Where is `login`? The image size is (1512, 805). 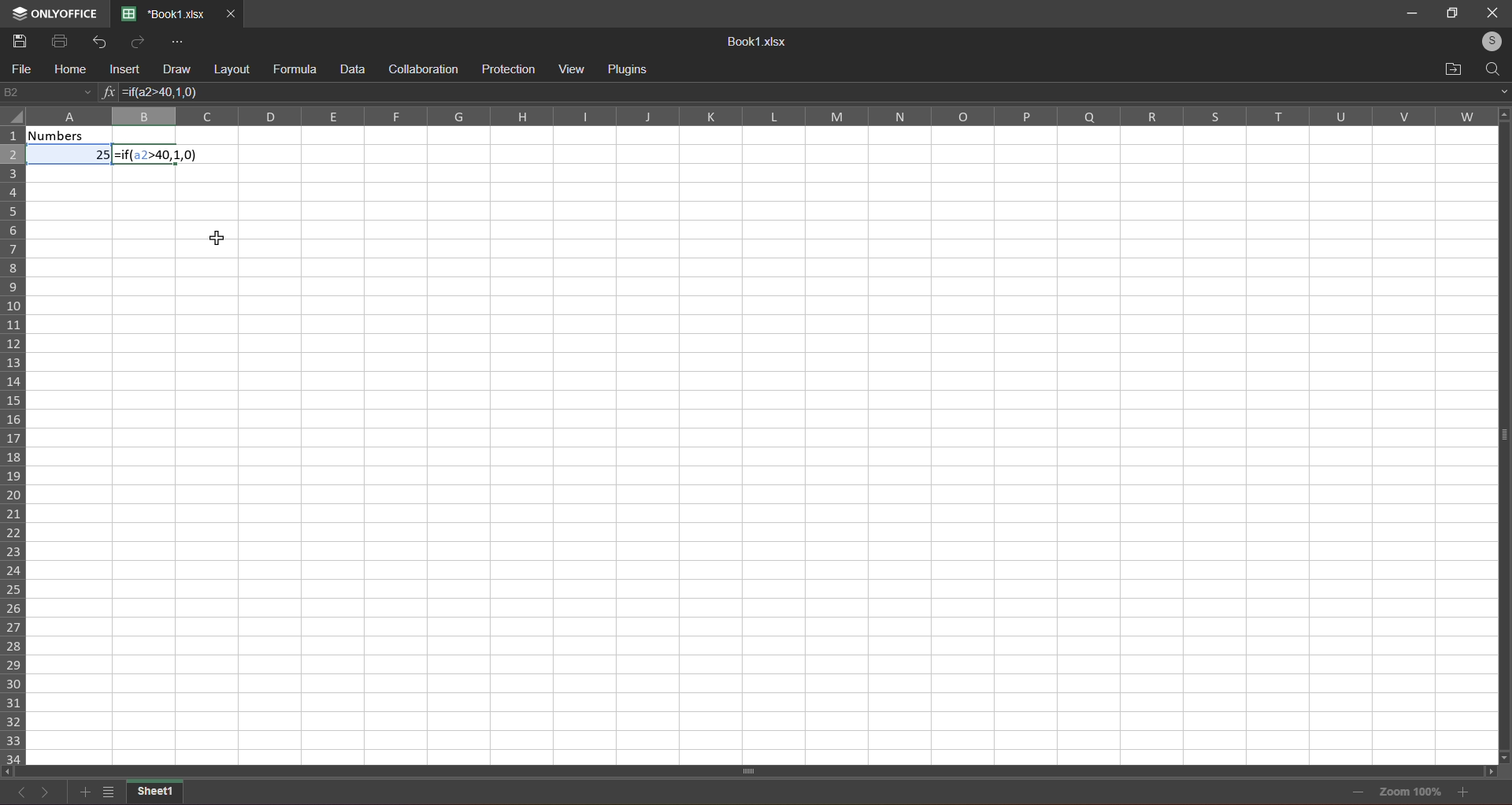 login is located at coordinates (1488, 39).